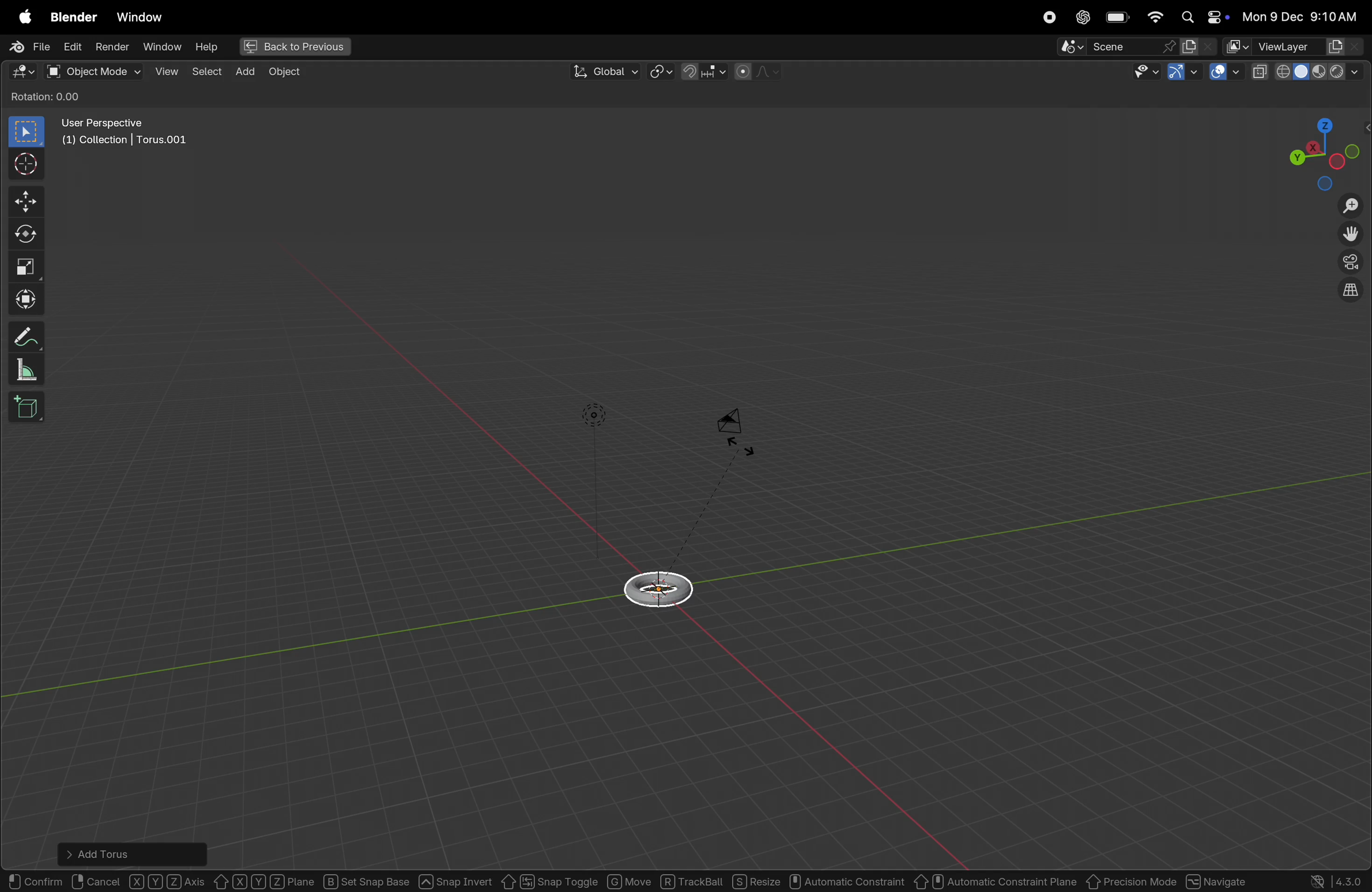 The height and width of the screenshot is (892, 1372). What do you see at coordinates (1118, 47) in the screenshot?
I see `scene` at bounding box center [1118, 47].